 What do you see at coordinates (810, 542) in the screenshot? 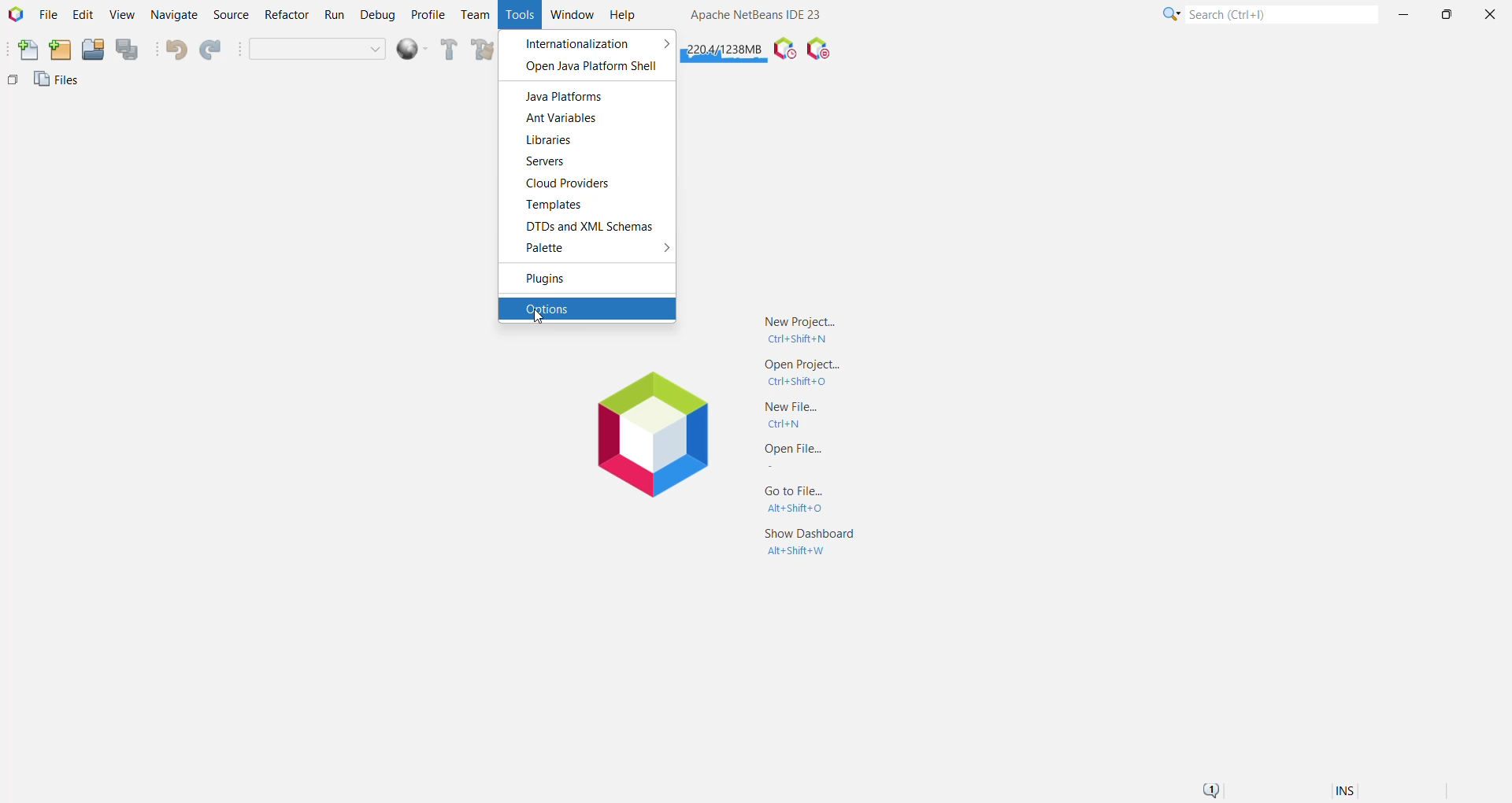
I see `Show Dashboard` at bounding box center [810, 542].